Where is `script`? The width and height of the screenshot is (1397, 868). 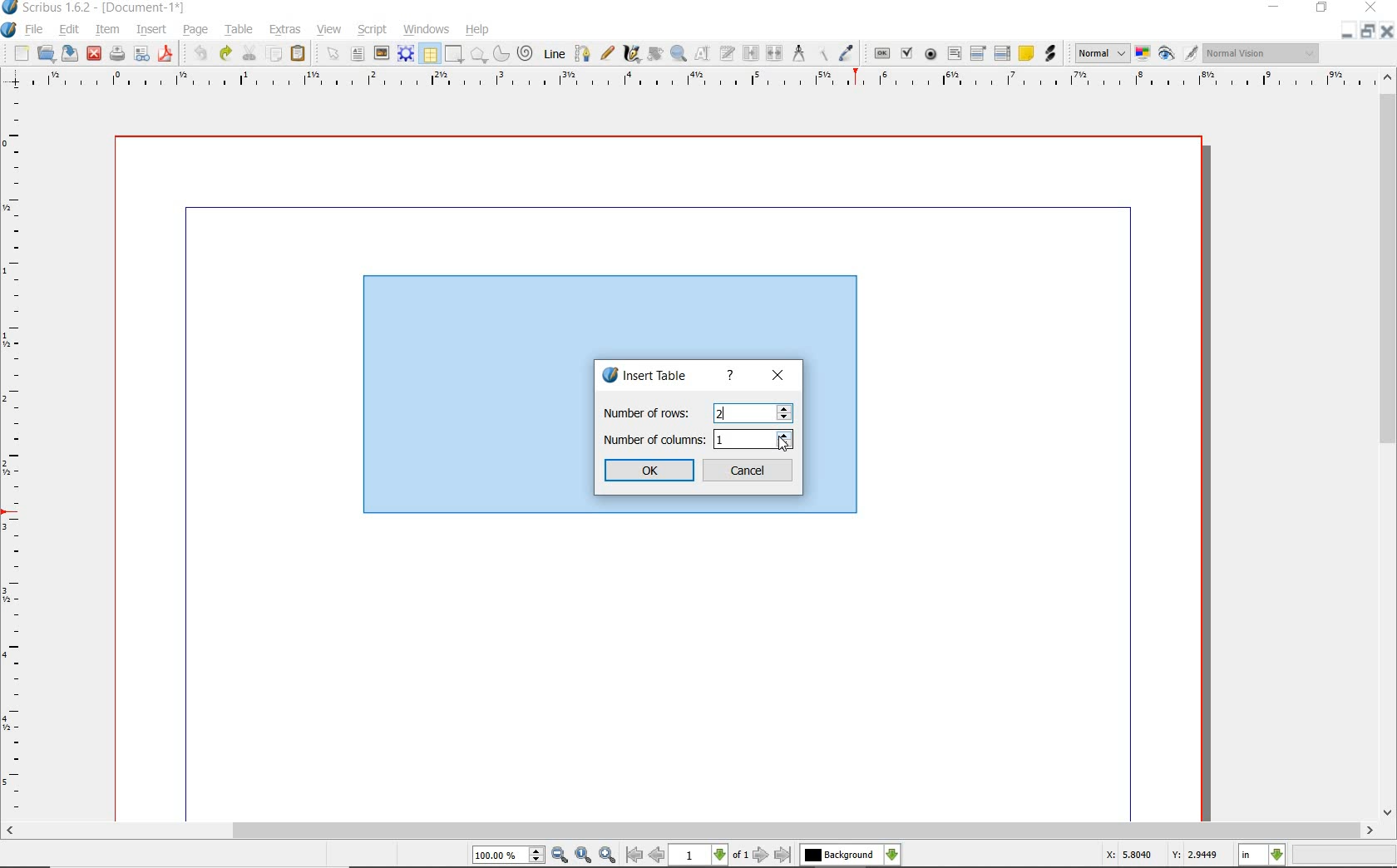
script is located at coordinates (373, 30).